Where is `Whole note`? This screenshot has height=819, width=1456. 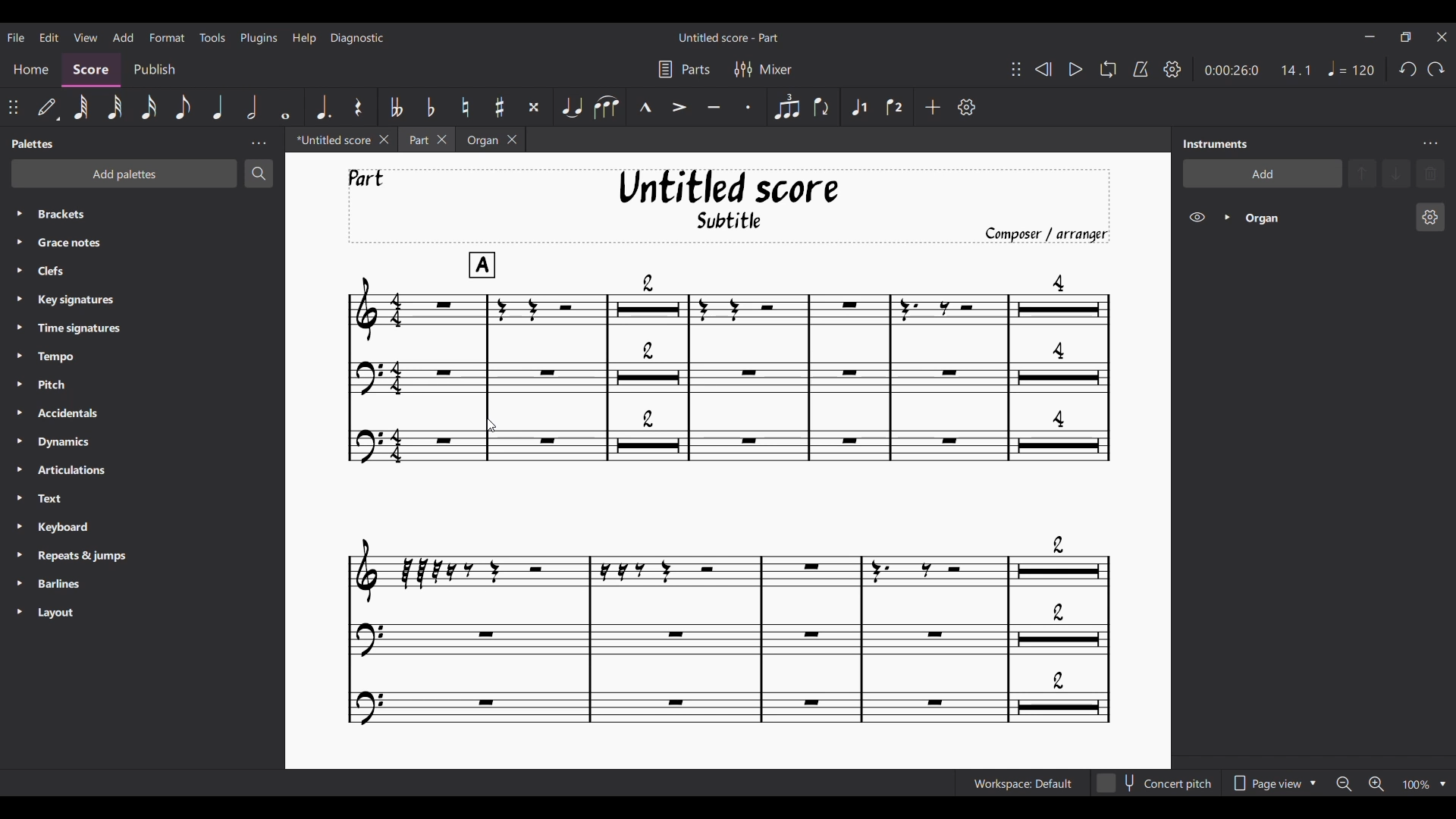
Whole note is located at coordinates (285, 107).